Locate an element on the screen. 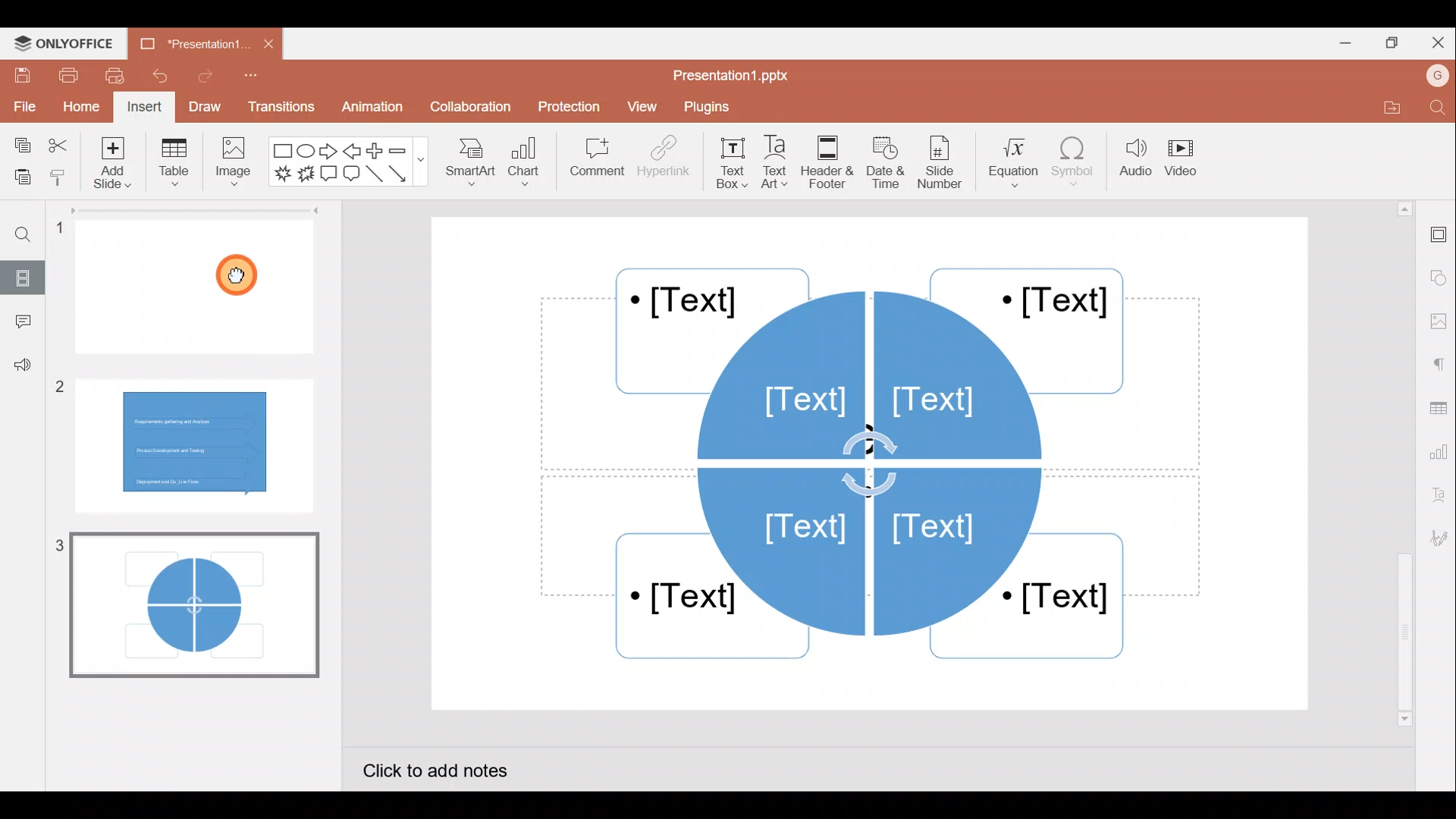 The height and width of the screenshot is (819, 1456). Home is located at coordinates (80, 108).